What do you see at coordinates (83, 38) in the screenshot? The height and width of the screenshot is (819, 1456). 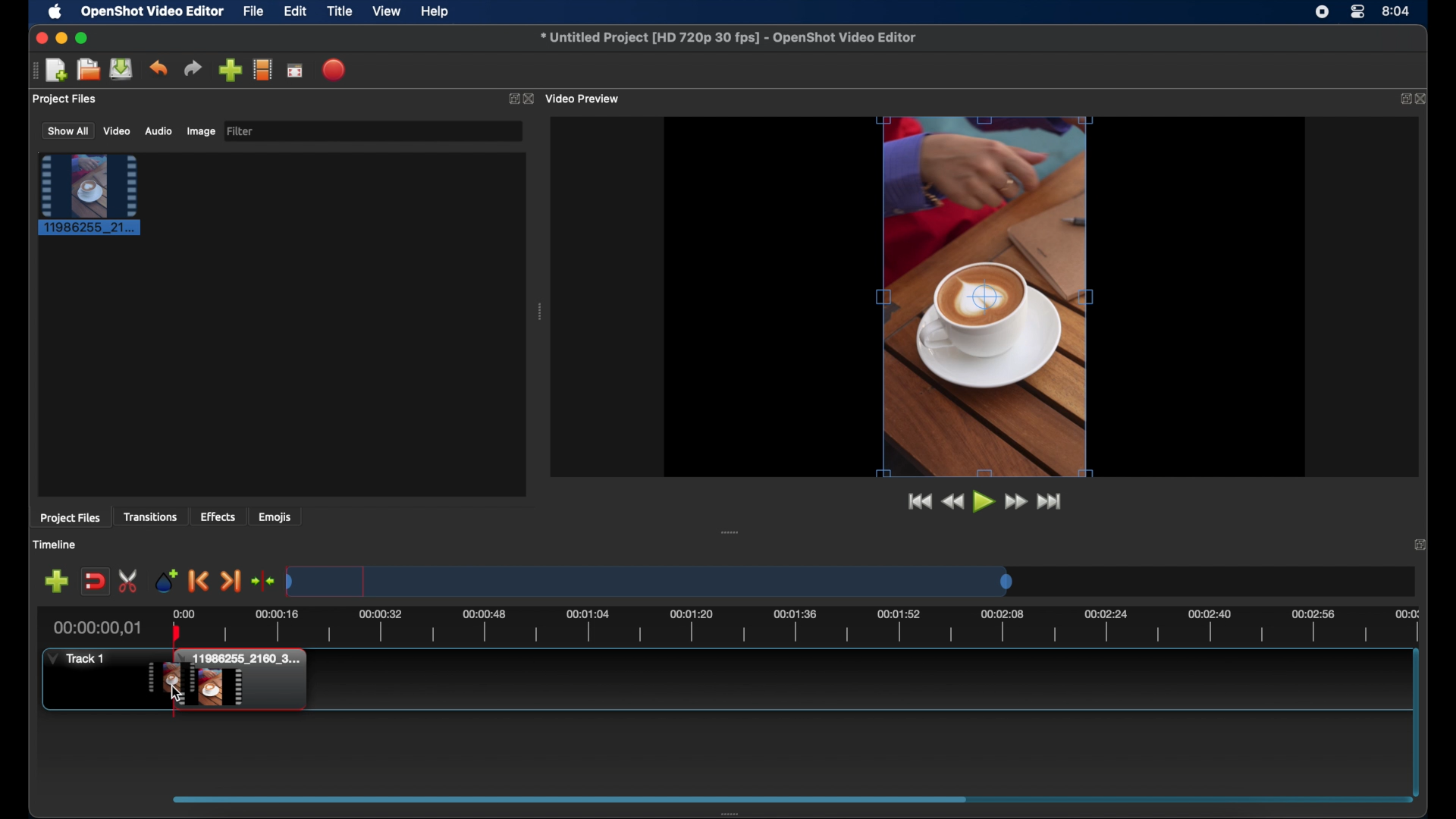 I see `maximize` at bounding box center [83, 38].